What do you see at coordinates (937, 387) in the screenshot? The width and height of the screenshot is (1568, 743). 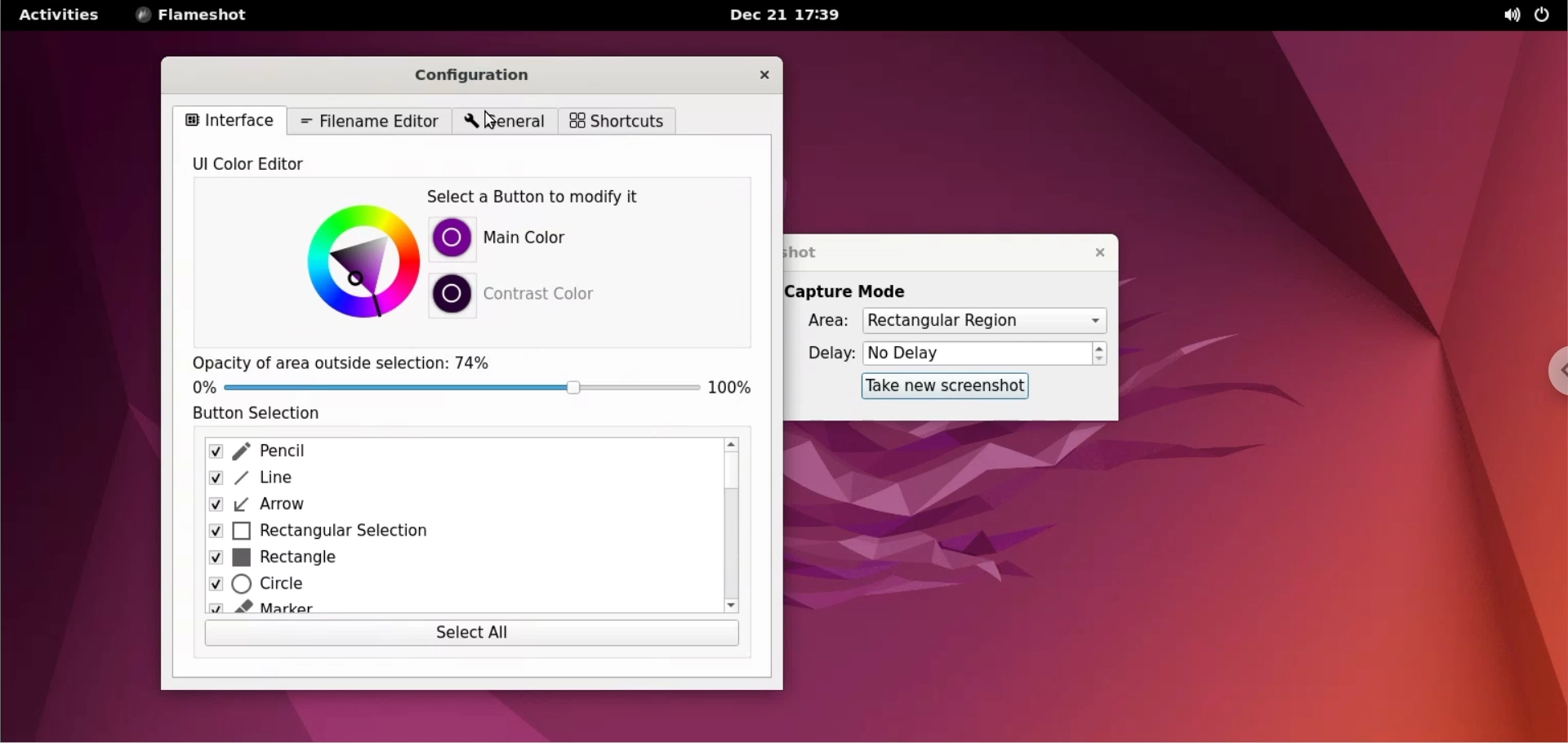 I see `take new screenshot` at bounding box center [937, 387].